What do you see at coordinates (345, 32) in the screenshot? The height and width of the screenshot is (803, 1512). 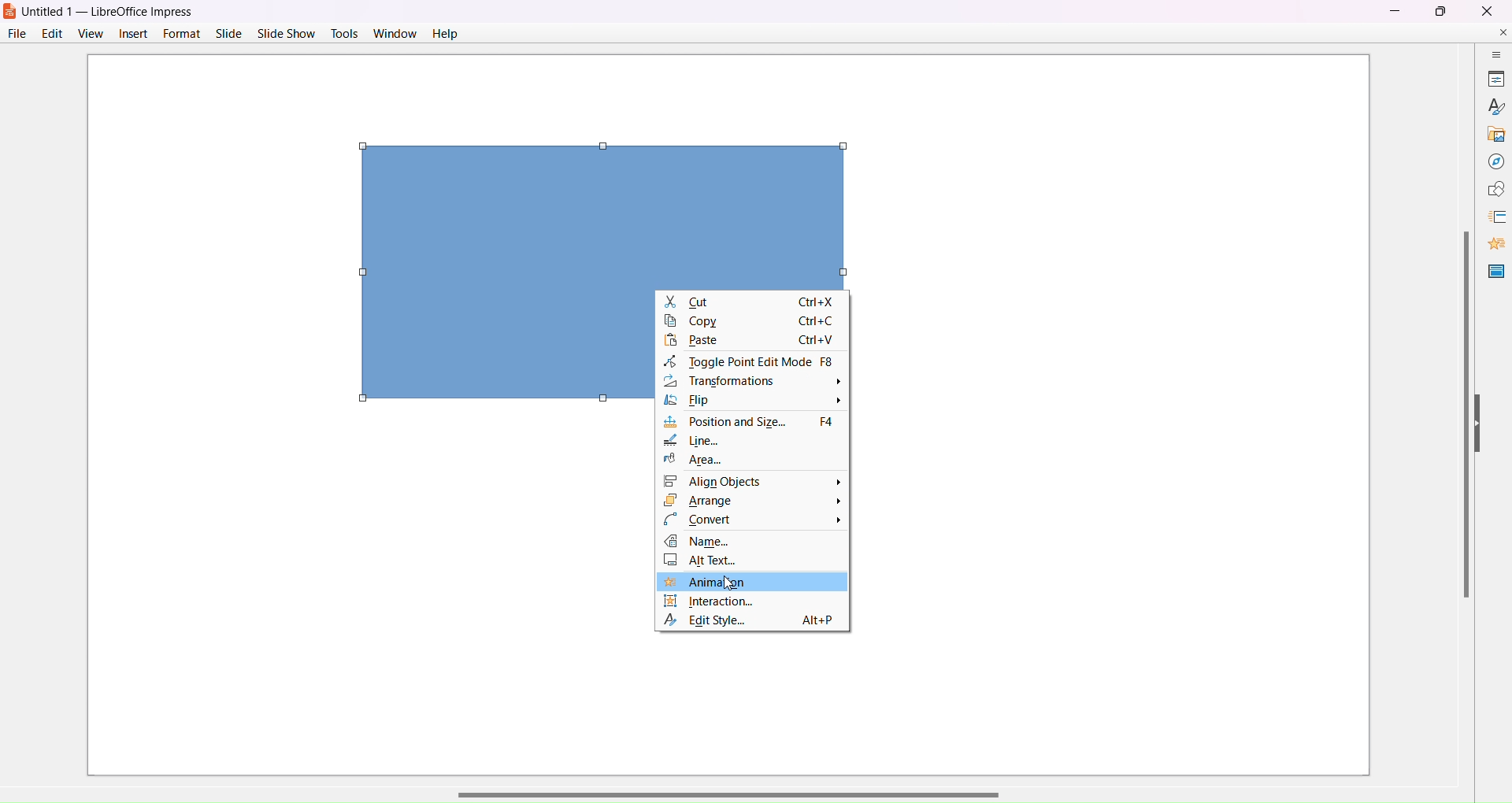 I see `Tools` at bounding box center [345, 32].